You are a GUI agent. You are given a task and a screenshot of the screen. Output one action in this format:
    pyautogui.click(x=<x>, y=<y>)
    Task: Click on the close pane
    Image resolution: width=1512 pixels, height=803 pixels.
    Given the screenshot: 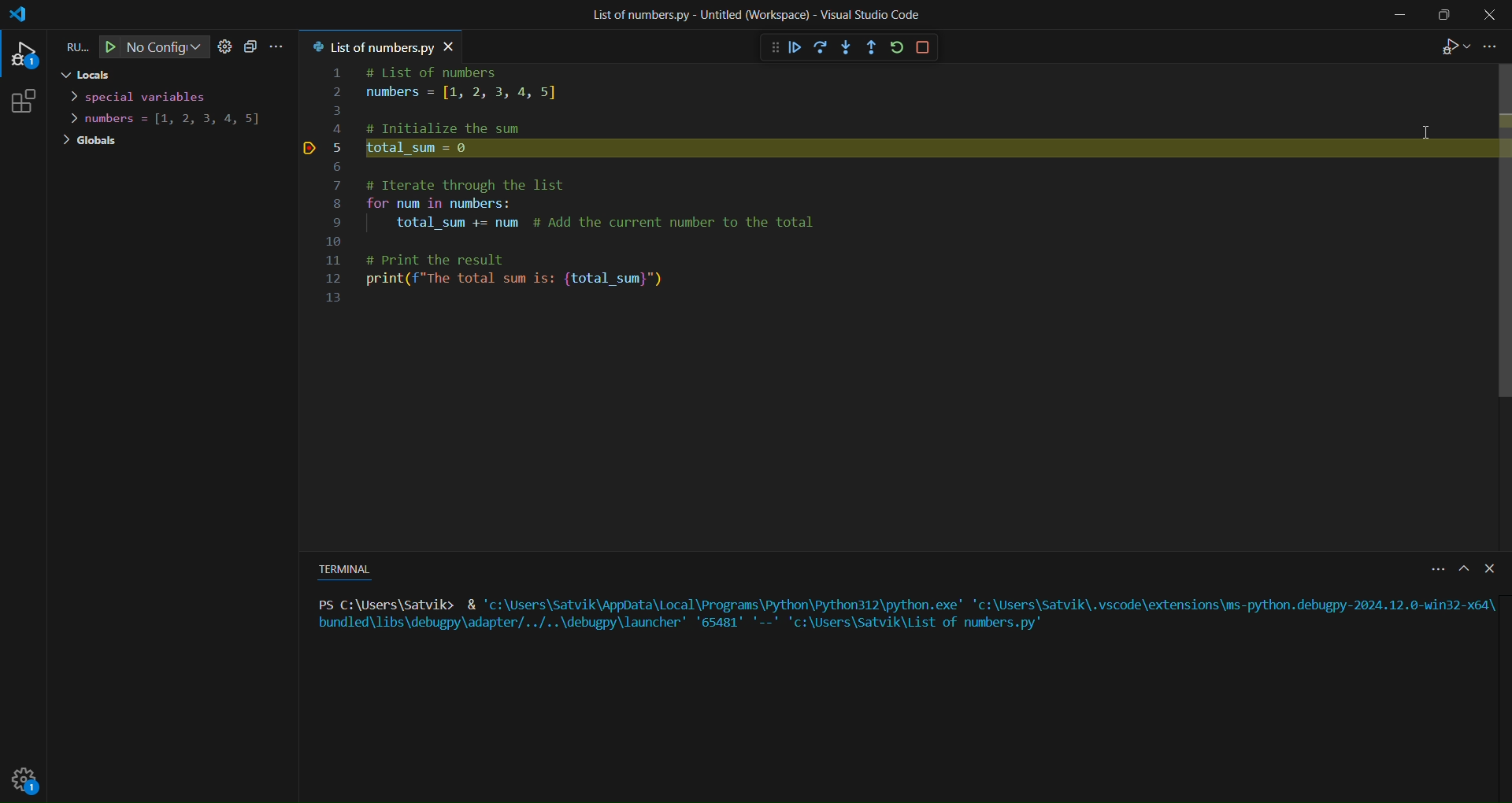 What is the action you would take?
    pyautogui.click(x=1489, y=568)
    